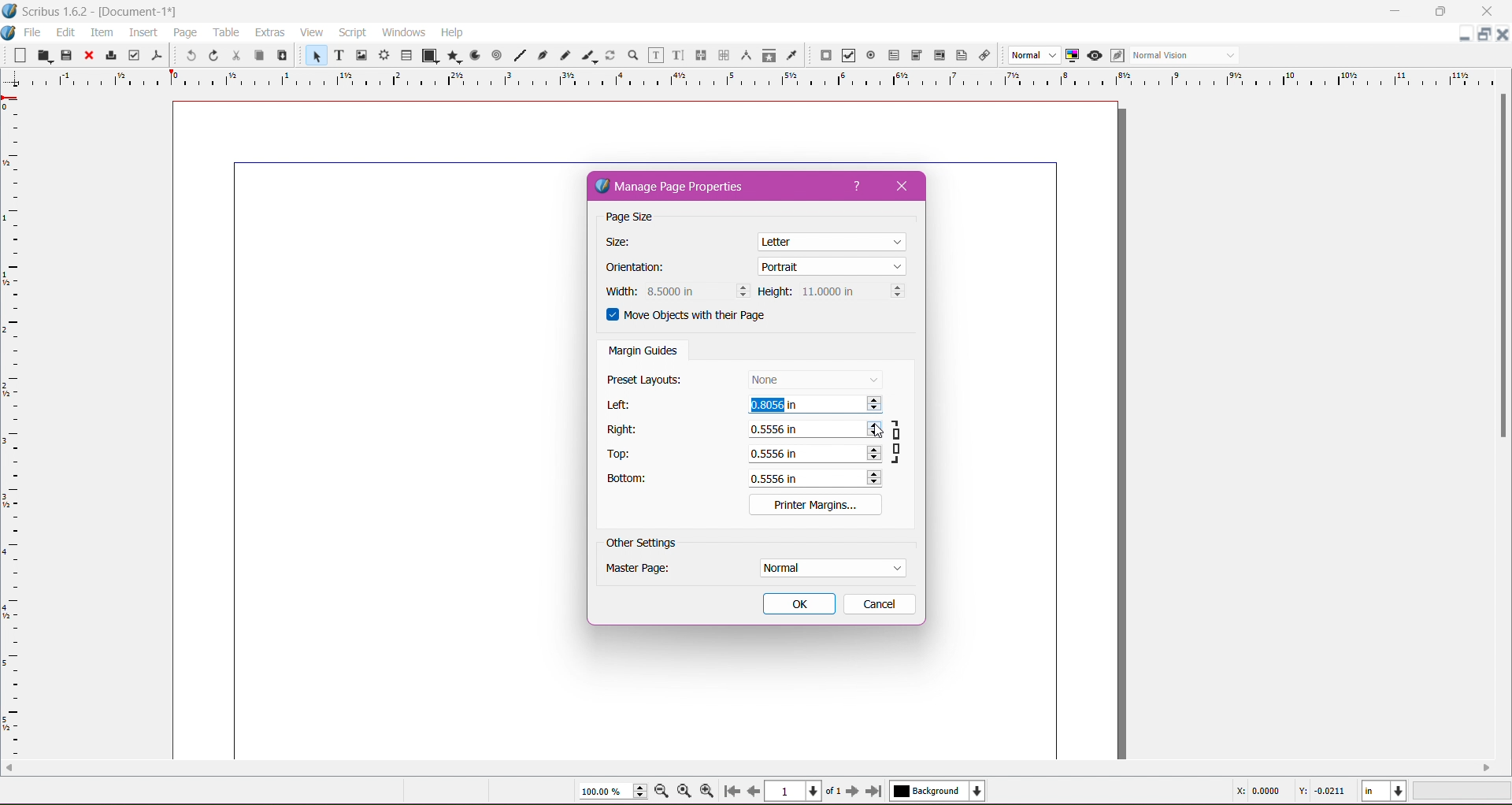  I want to click on PDF Text Field, so click(894, 56).